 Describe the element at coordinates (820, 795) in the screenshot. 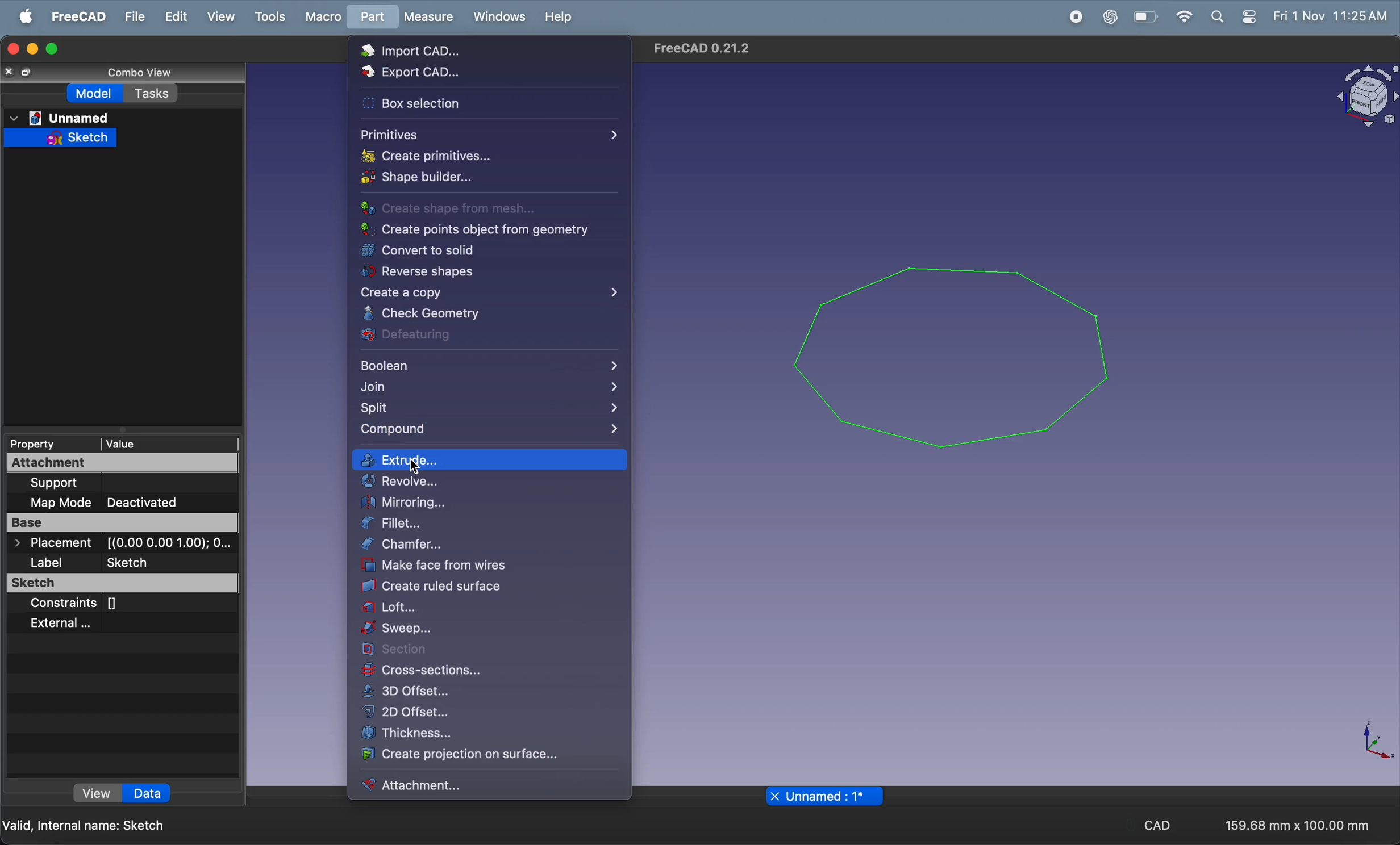

I see `x Unnamed : 1*` at that location.